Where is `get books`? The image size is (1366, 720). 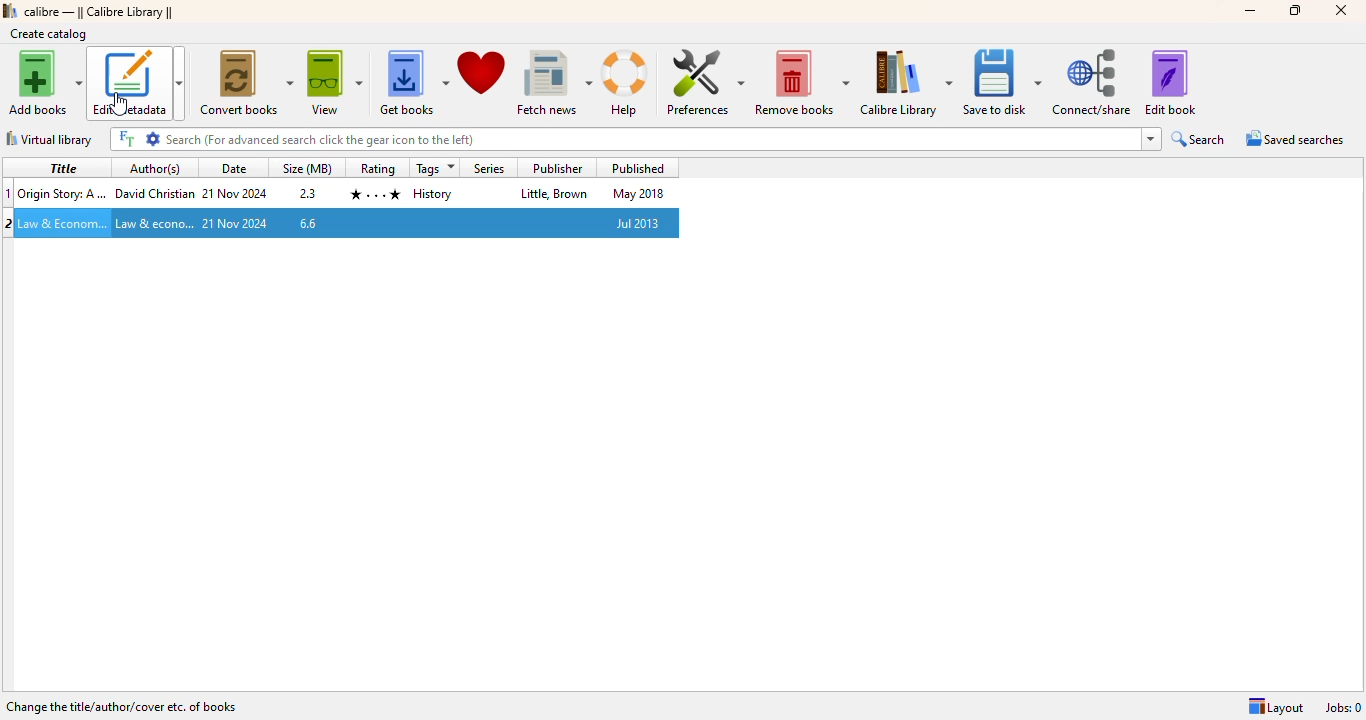
get books is located at coordinates (413, 83).